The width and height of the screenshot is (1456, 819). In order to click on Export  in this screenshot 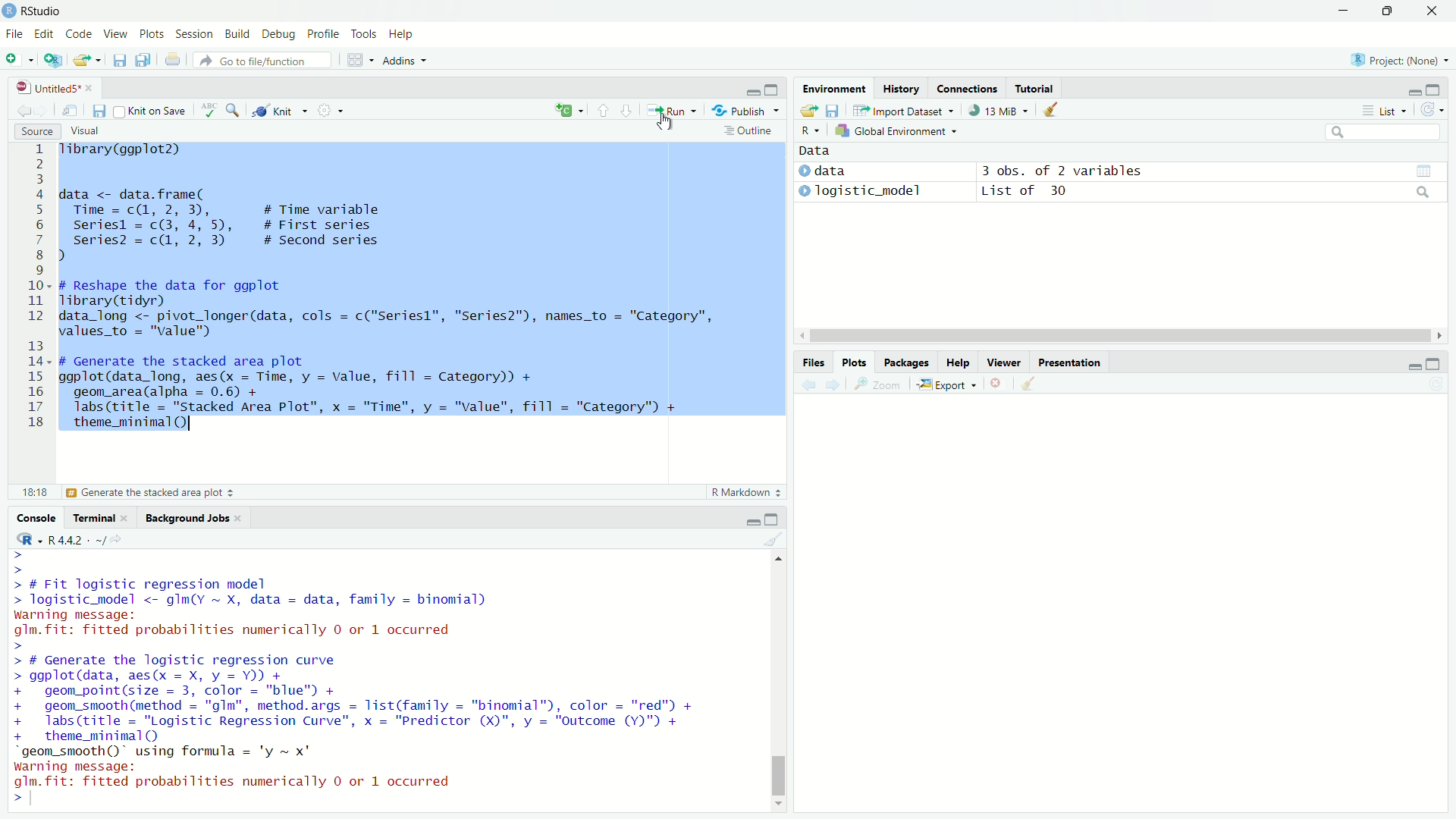, I will do `click(950, 385)`.